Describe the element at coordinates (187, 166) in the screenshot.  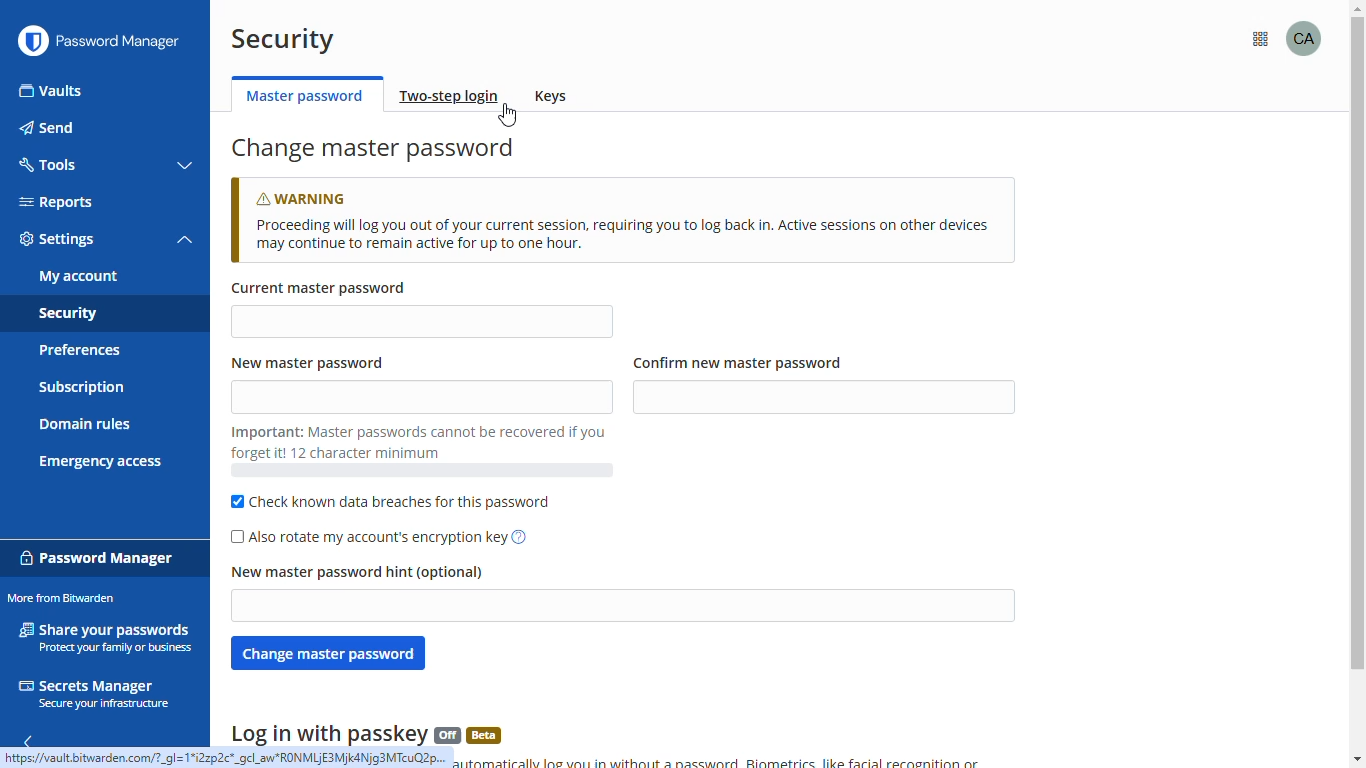
I see `toggle collapse` at that location.